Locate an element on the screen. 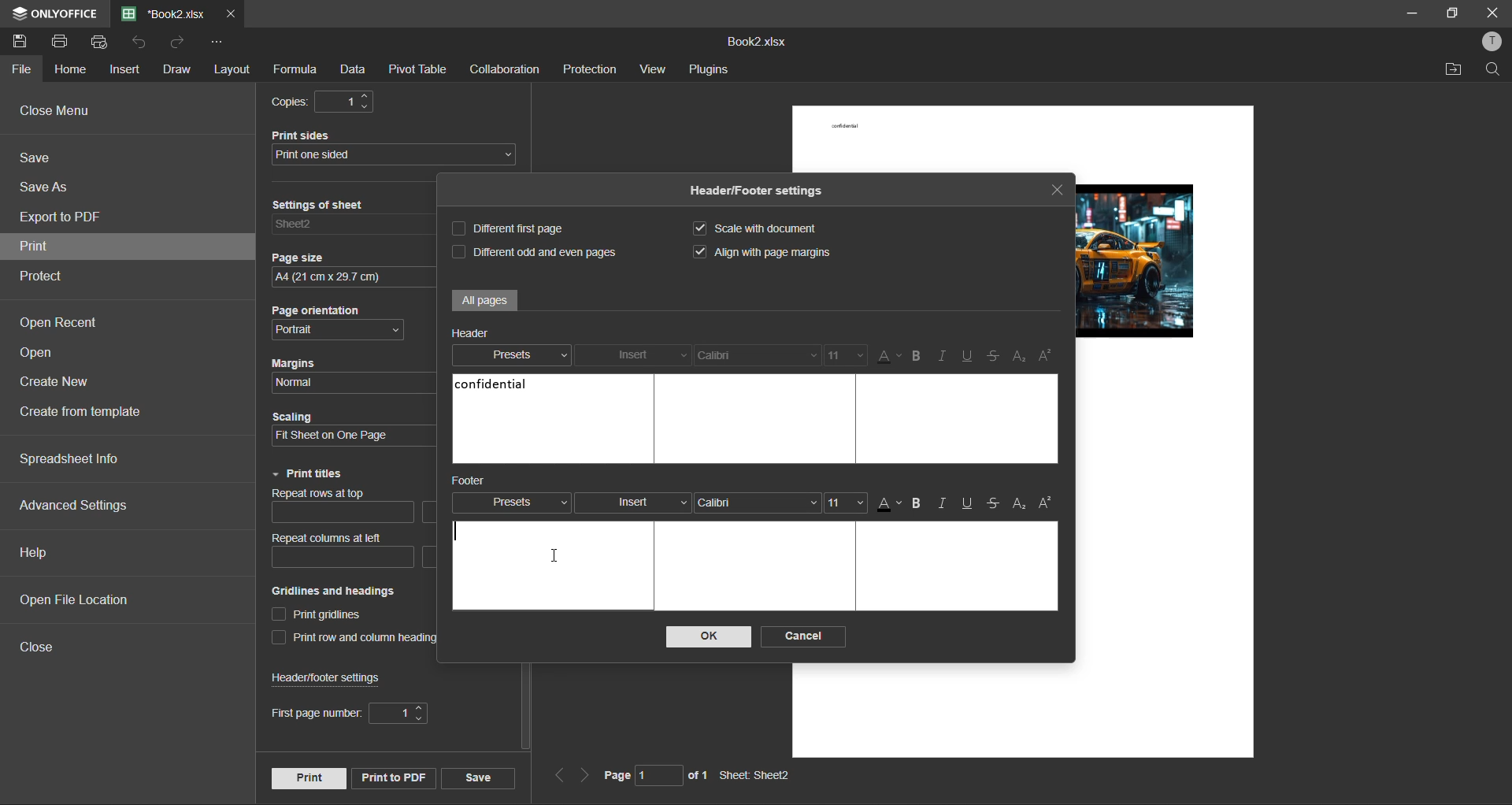  open file location is located at coordinates (69, 599).